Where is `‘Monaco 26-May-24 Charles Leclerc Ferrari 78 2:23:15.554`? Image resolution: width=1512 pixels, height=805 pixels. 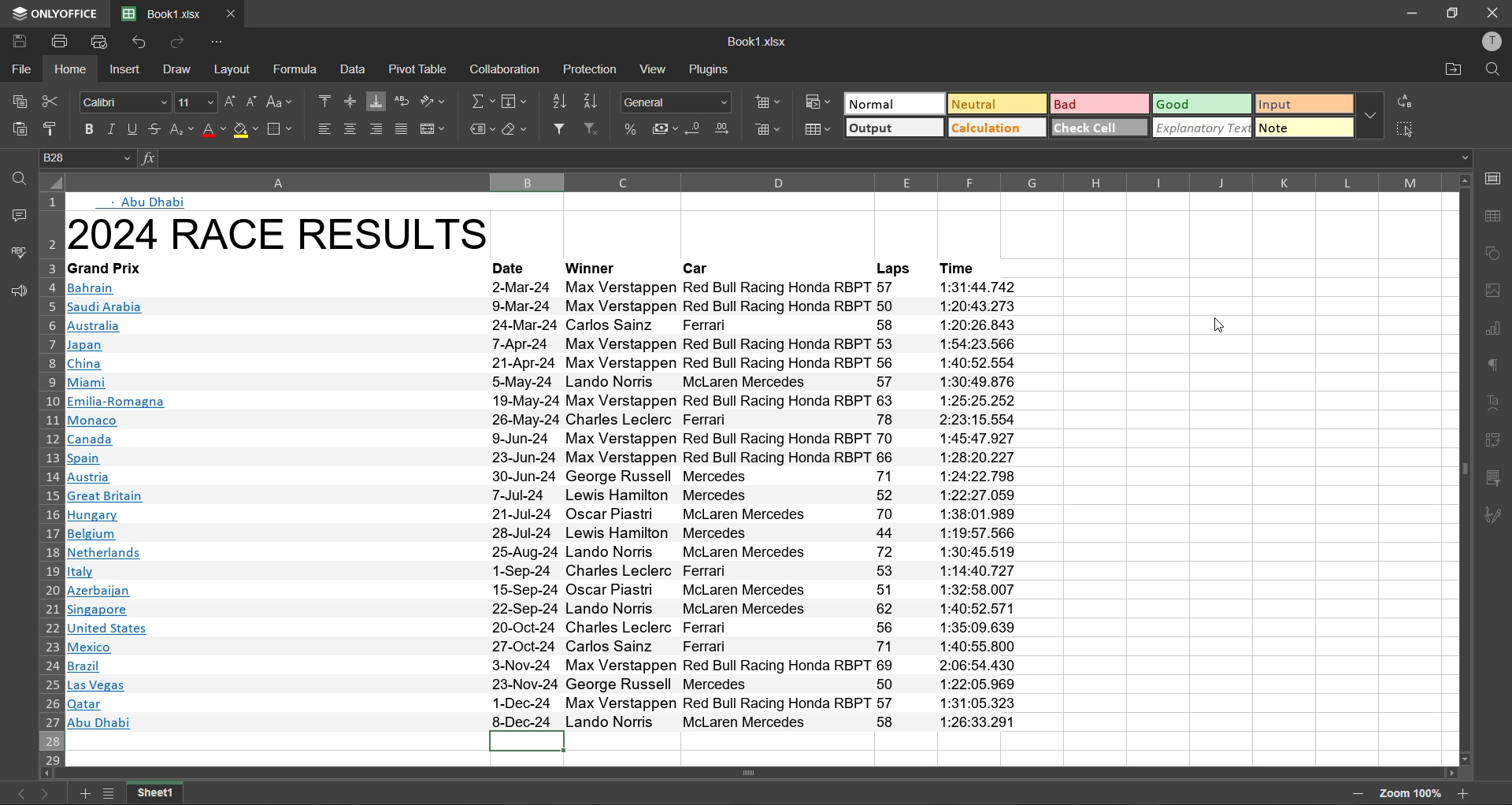
‘Monaco 26-May-24 Charles Leclerc Ferrari 78 2:23:15.554 is located at coordinates (542, 420).